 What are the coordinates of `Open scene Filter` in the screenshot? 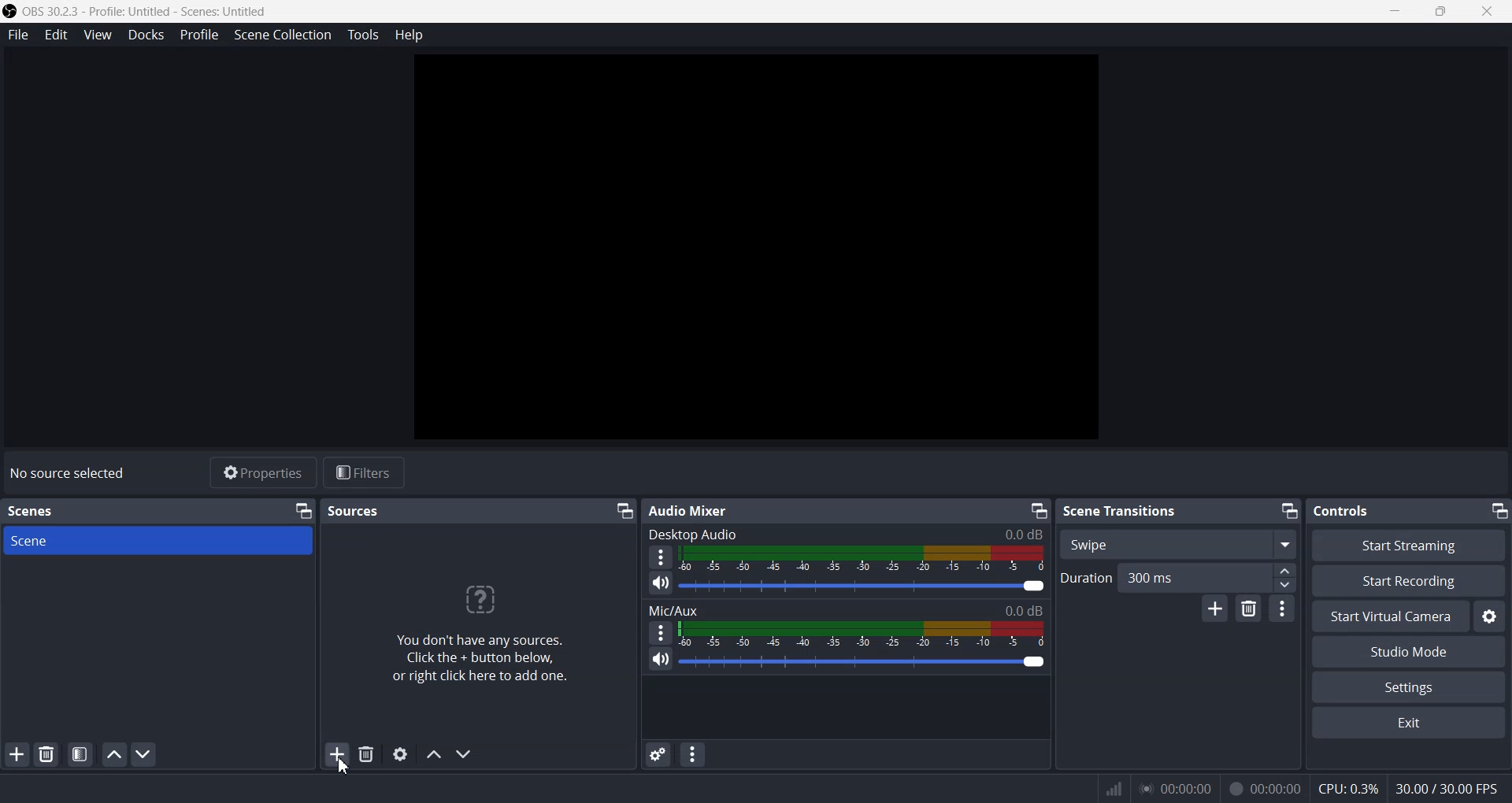 It's located at (80, 755).